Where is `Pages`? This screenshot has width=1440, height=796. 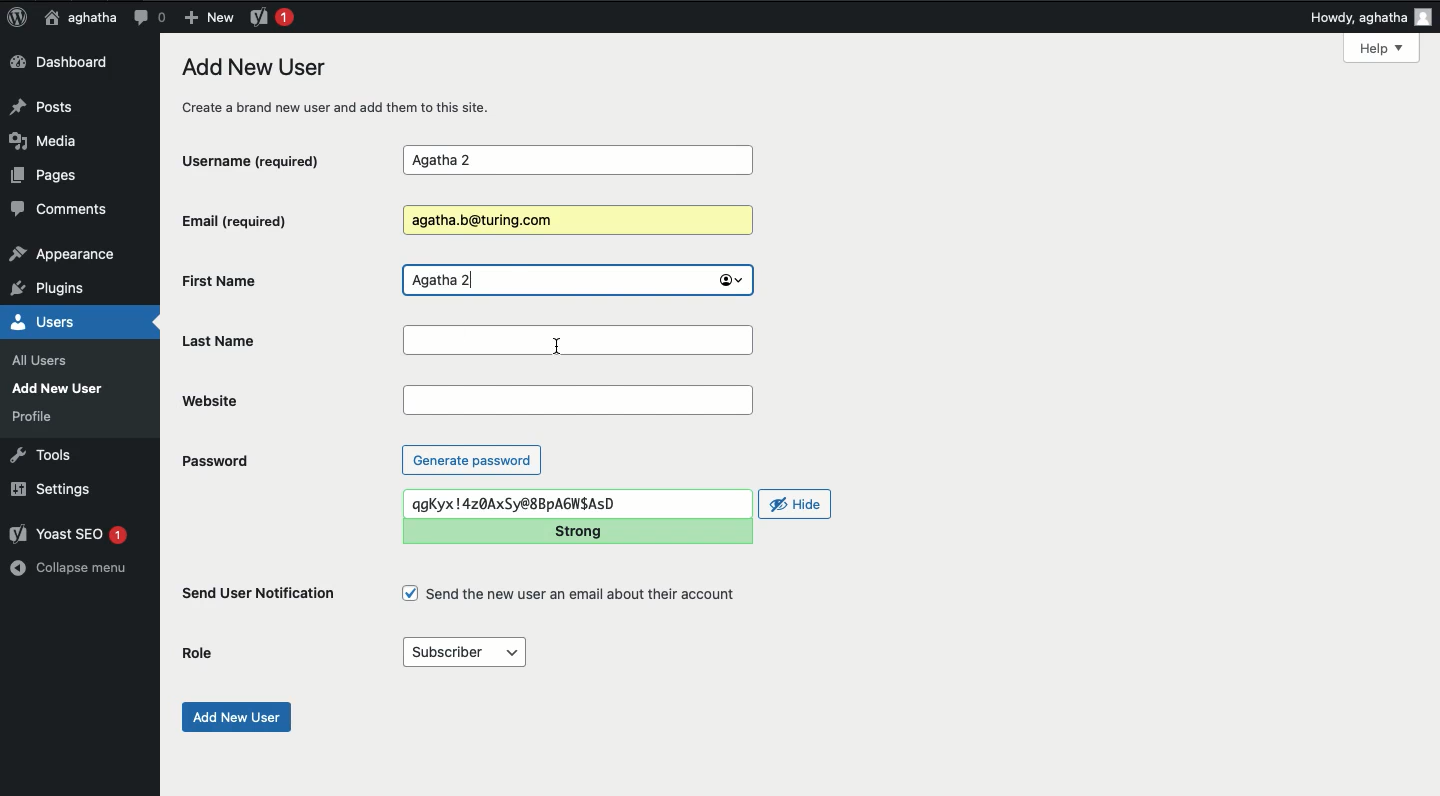
Pages is located at coordinates (50, 179).